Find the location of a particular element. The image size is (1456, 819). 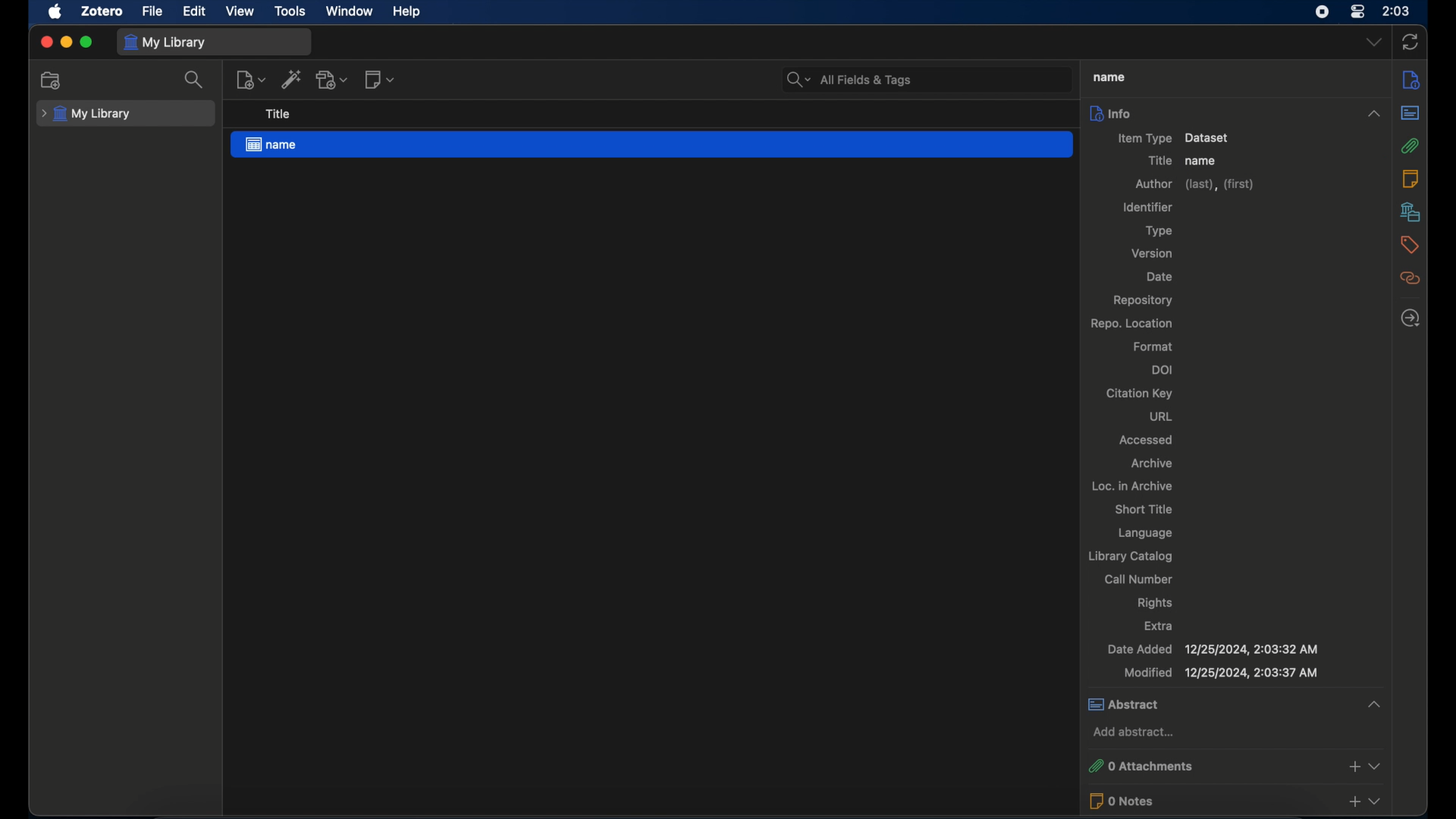

date added is located at coordinates (1212, 648).